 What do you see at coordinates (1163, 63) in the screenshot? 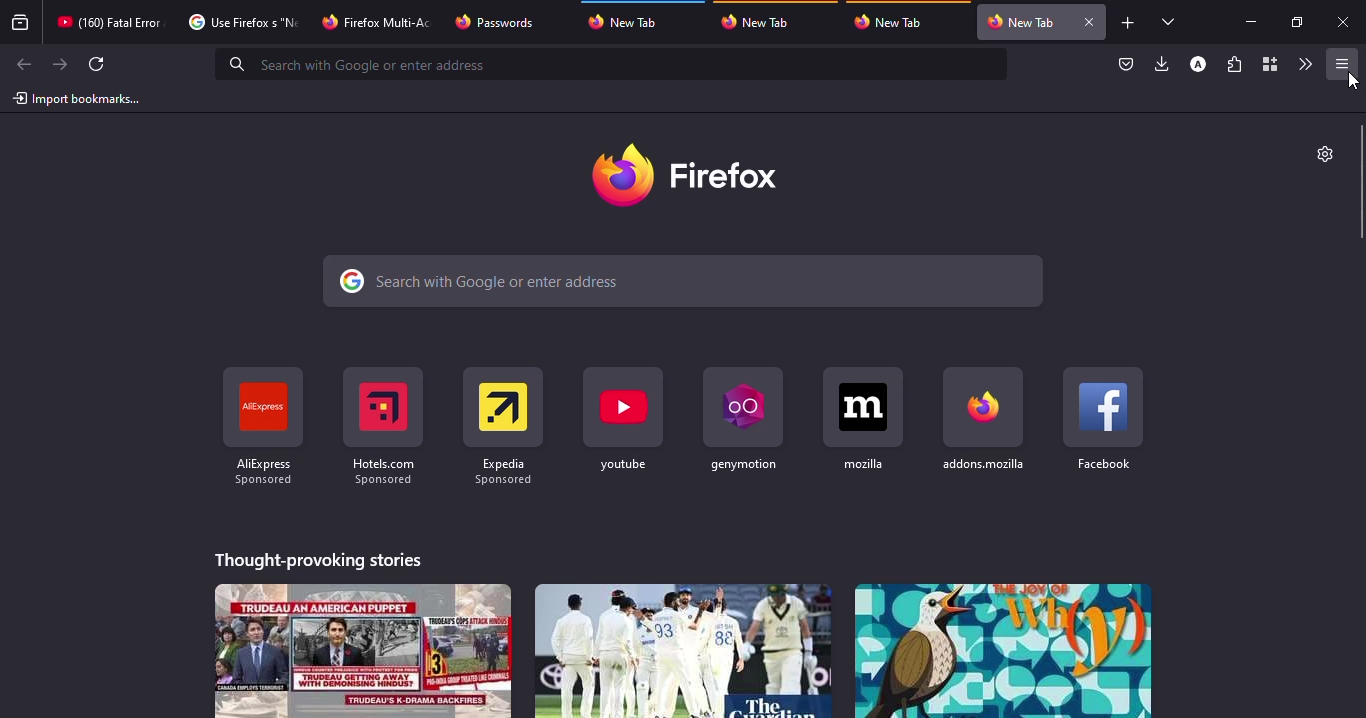
I see `downloads` at bounding box center [1163, 63].